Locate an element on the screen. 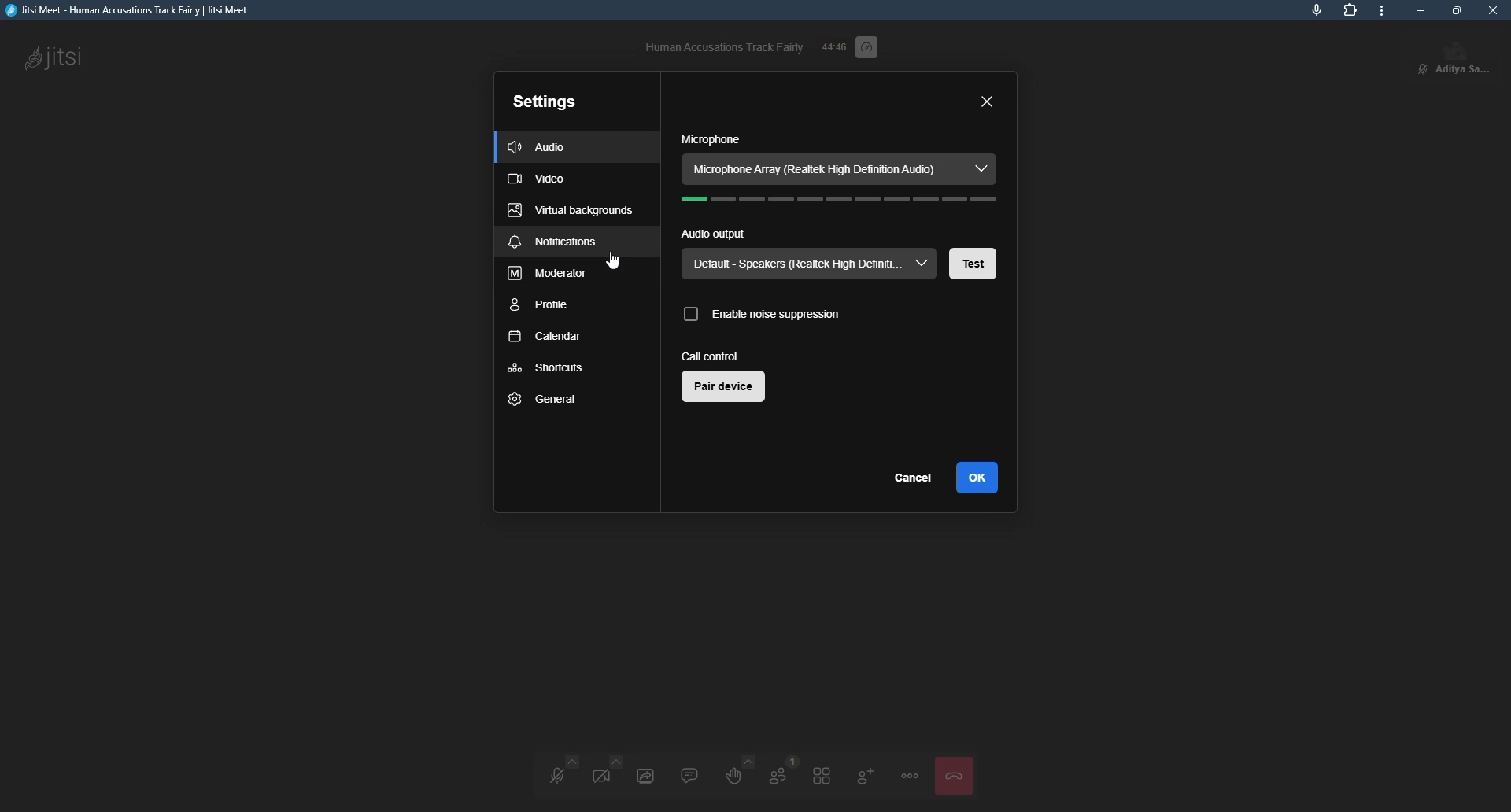 The height and width of the screenshot is (812, 1511). start mic is located at coordinates (553, 777).